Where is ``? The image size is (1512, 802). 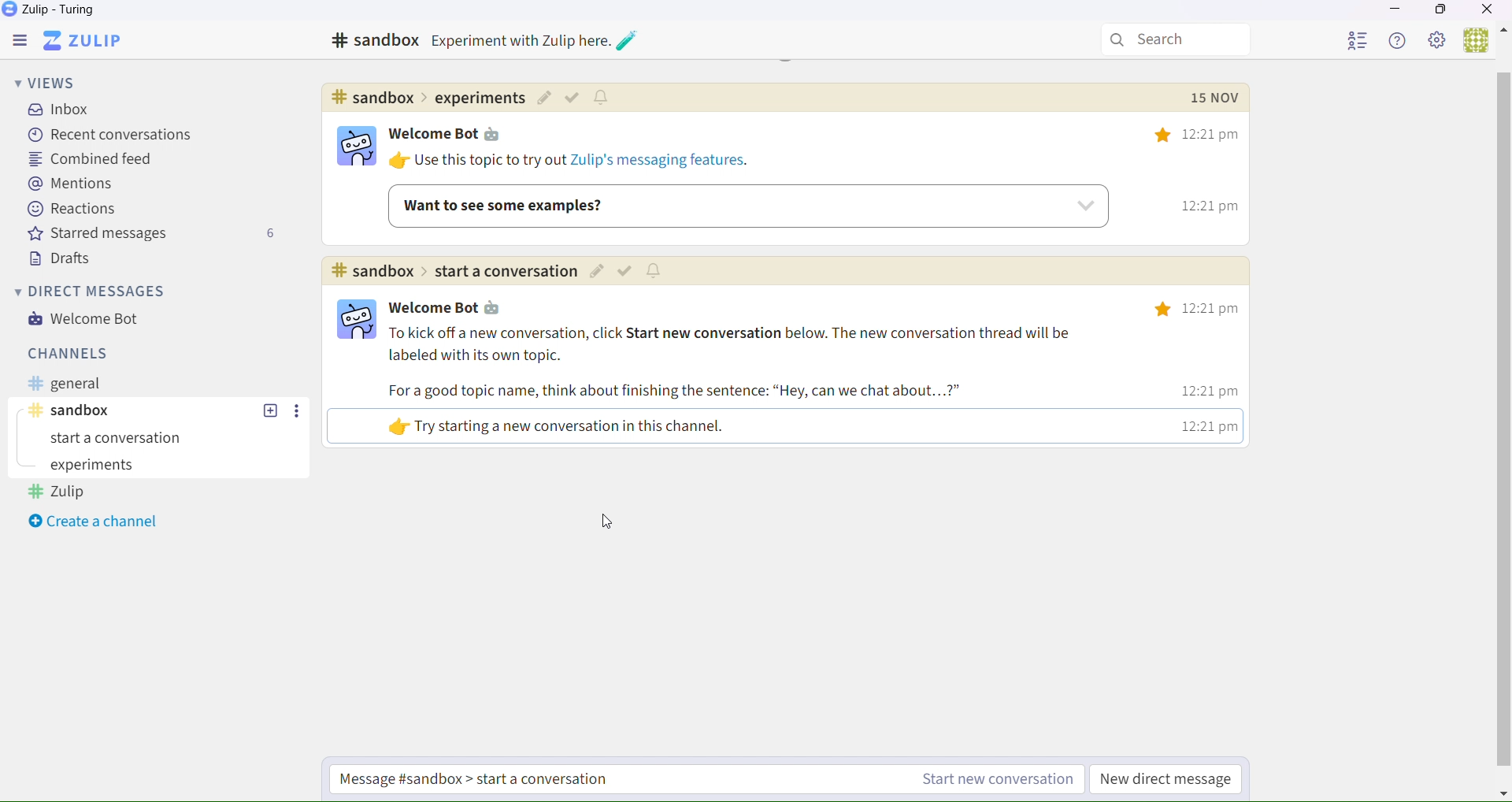  is located at coordinates (573, 98).